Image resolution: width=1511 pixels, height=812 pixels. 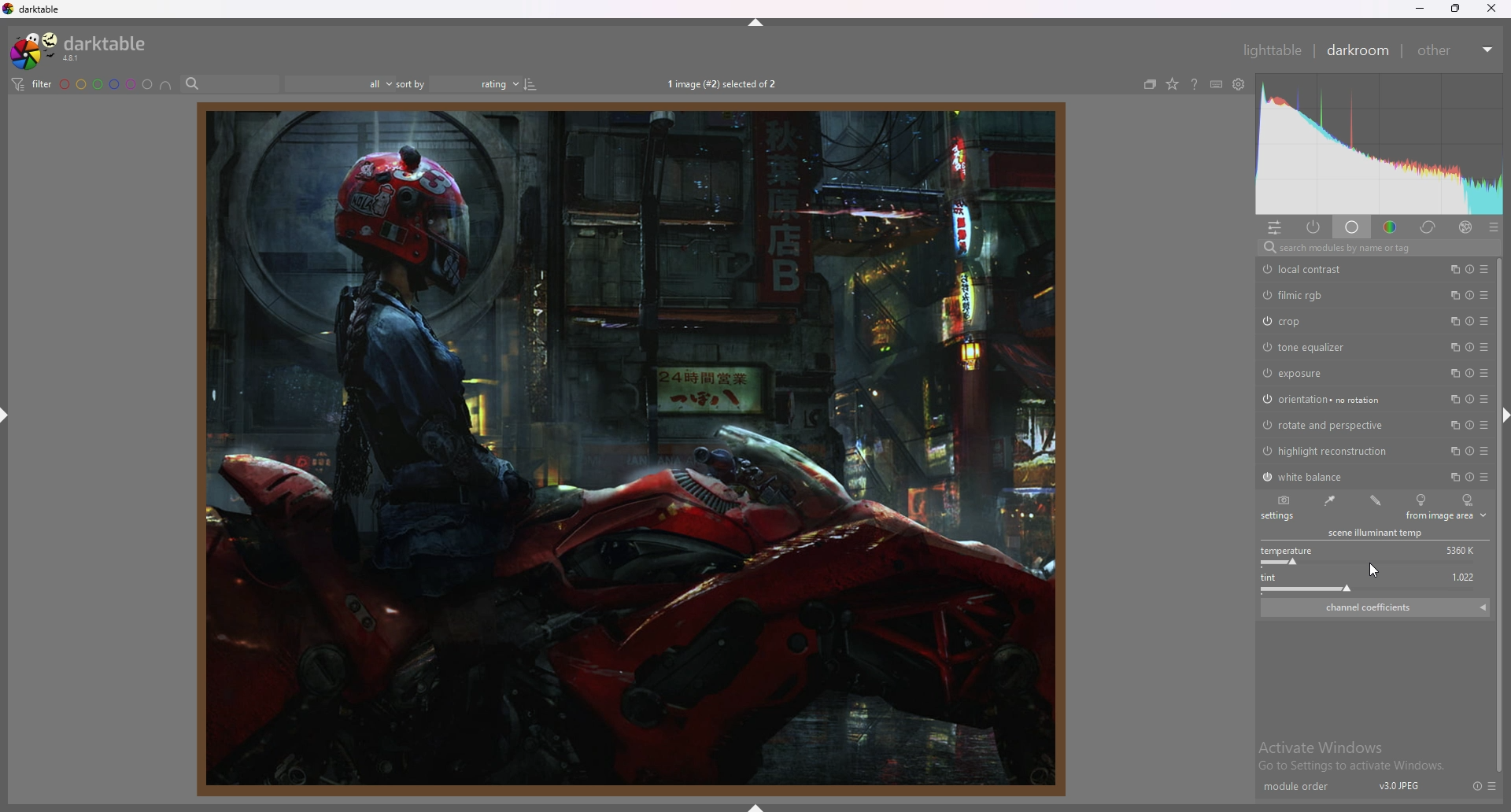 What do you see at coordinates (1216, 85) in the screenshot?
I see `keyboard shortcuts` at bounding box center [1216, 85].